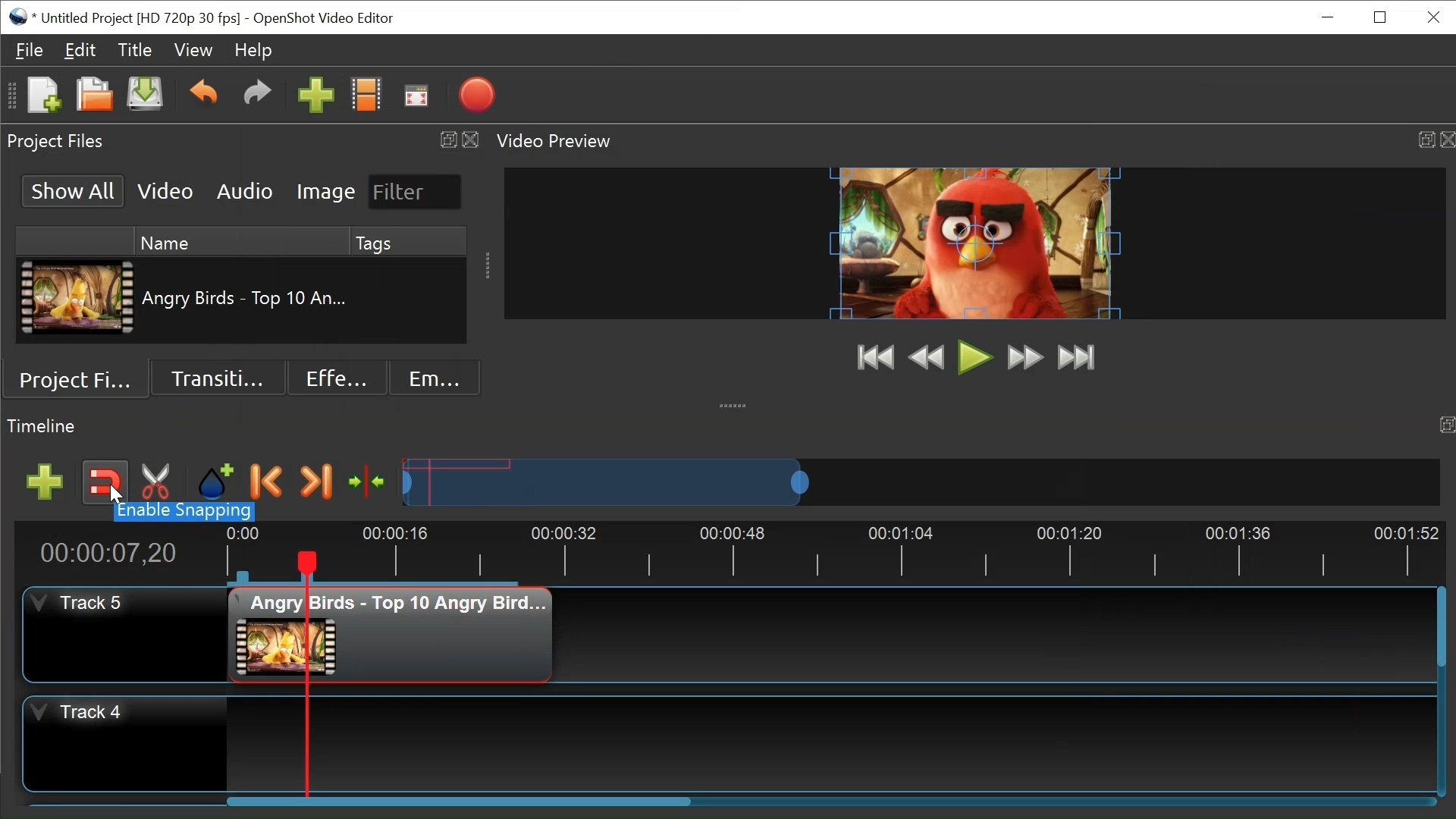  What do you see at coordinates (972, 140) in the screenshot?
I see `Video Preview Panel` at bounding box center [972, 140].